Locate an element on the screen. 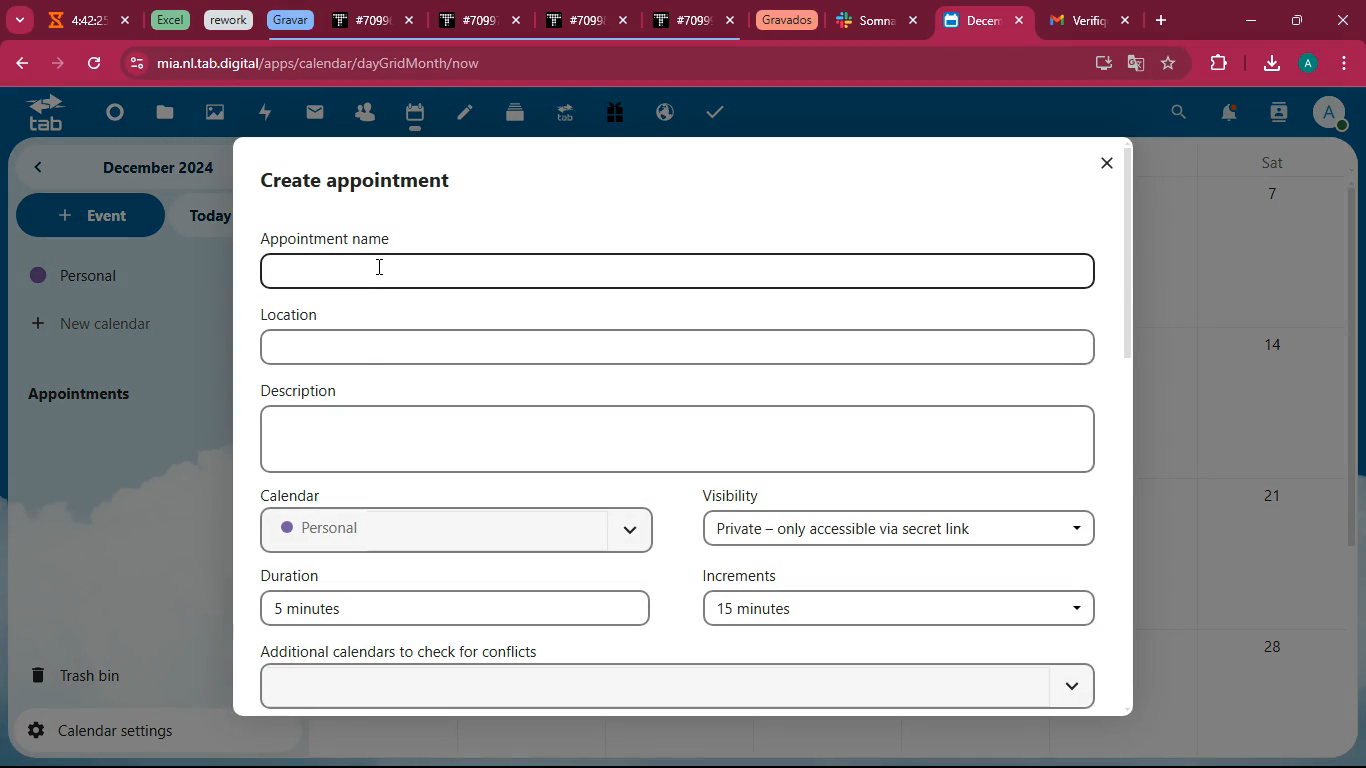 The width and height of the screenshot is (1366, 768). close is located at coordinates (1024, 21).